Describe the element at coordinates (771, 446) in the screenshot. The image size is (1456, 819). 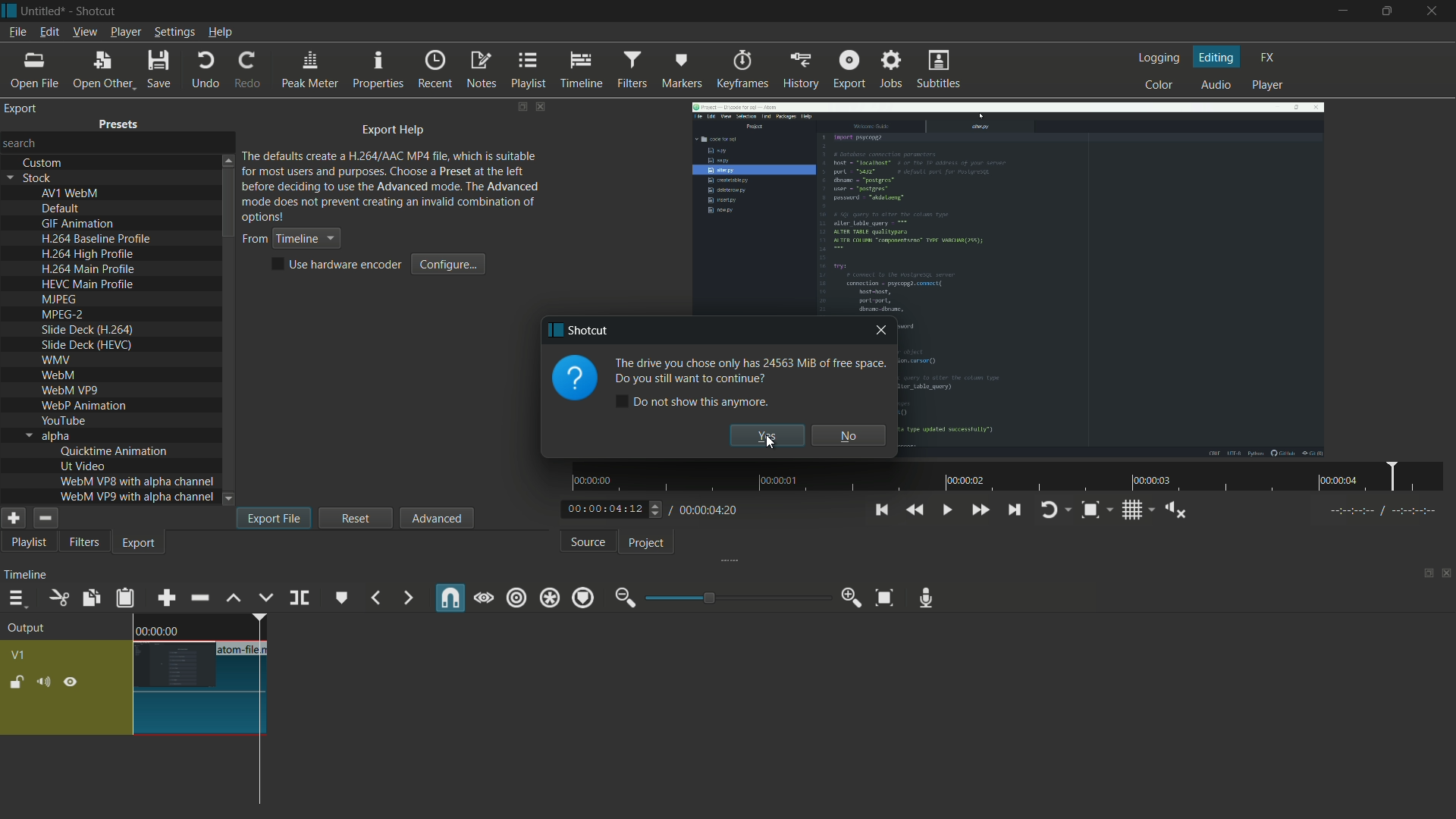
I see `cursor` at that location.